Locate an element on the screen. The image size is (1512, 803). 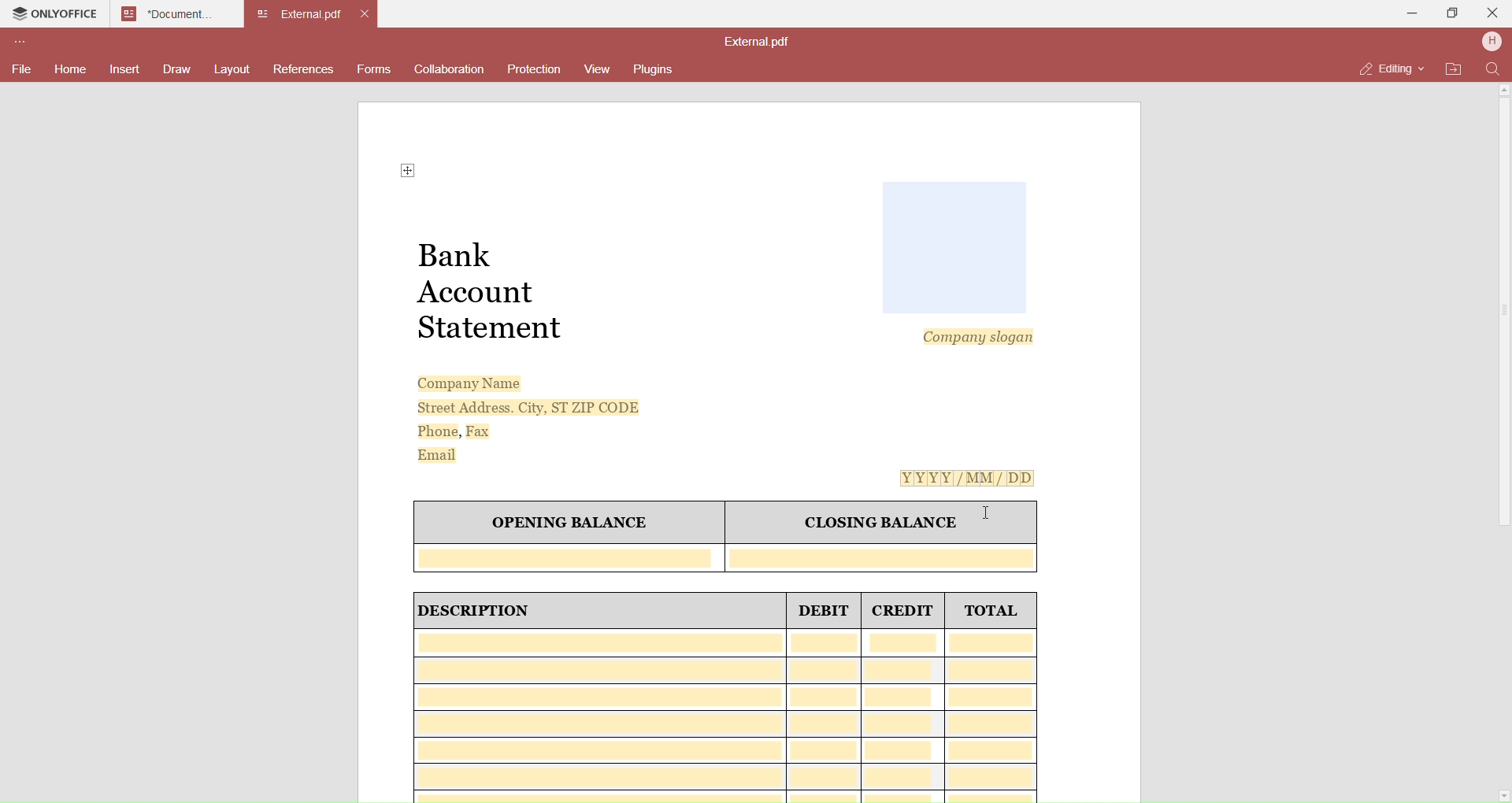
Find is located at coordinates (1493, 69).